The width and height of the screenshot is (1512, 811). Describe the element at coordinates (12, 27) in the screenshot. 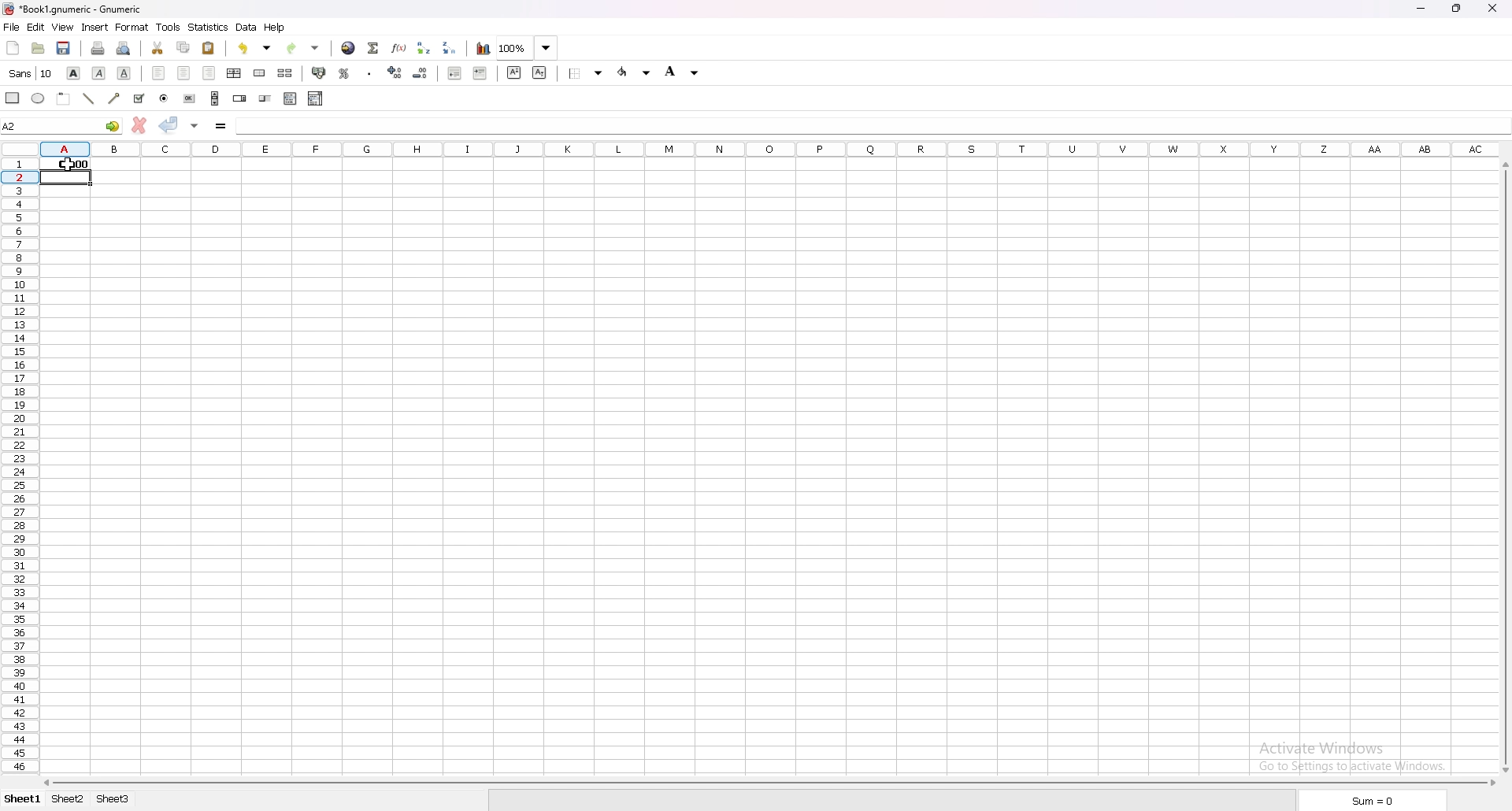

I see `file` at that location.